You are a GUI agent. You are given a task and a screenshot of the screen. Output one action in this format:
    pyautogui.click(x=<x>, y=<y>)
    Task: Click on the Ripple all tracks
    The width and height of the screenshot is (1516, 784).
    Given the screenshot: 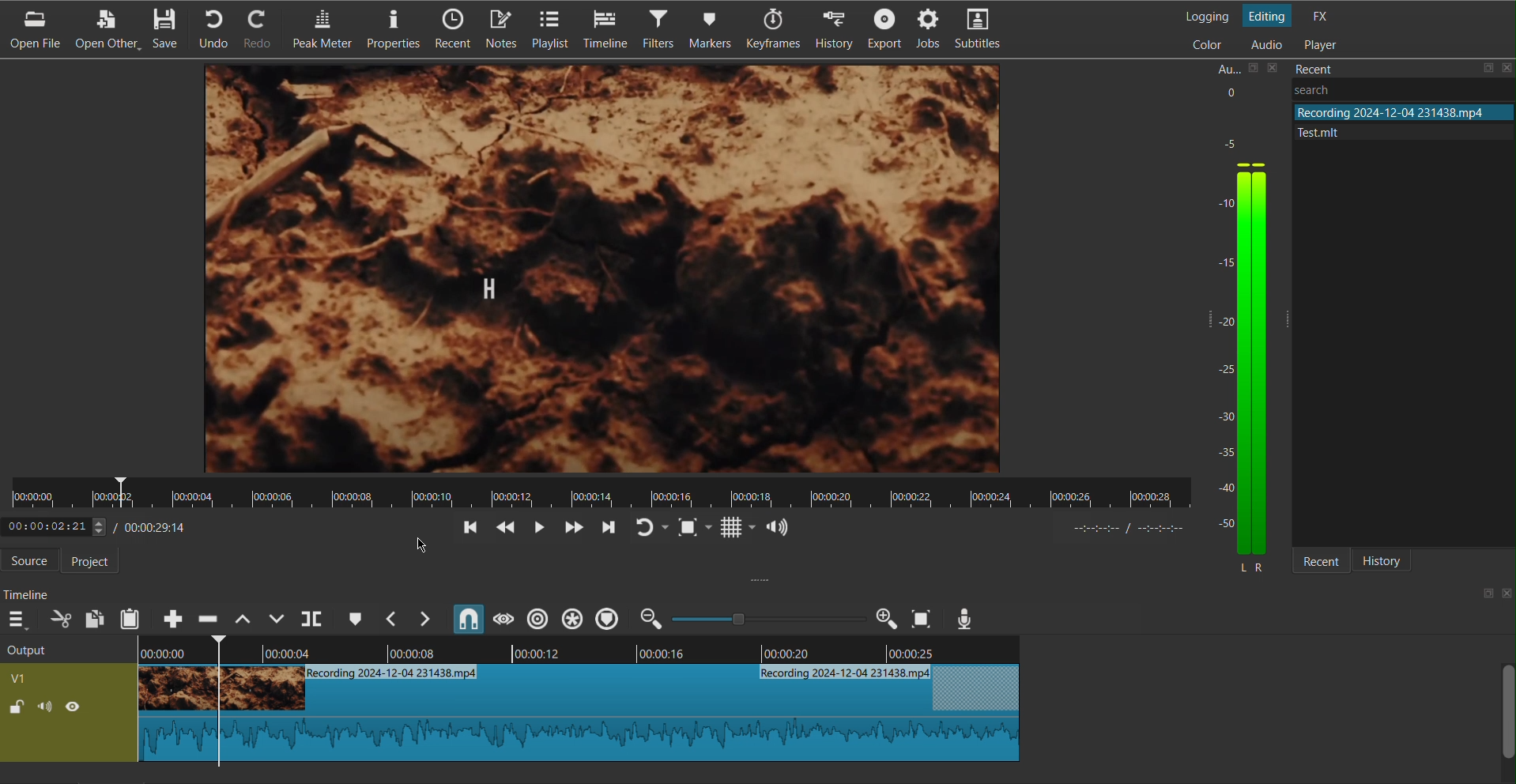 What is the action you would take?
    pyautogui.click(x=571, y=618)
    